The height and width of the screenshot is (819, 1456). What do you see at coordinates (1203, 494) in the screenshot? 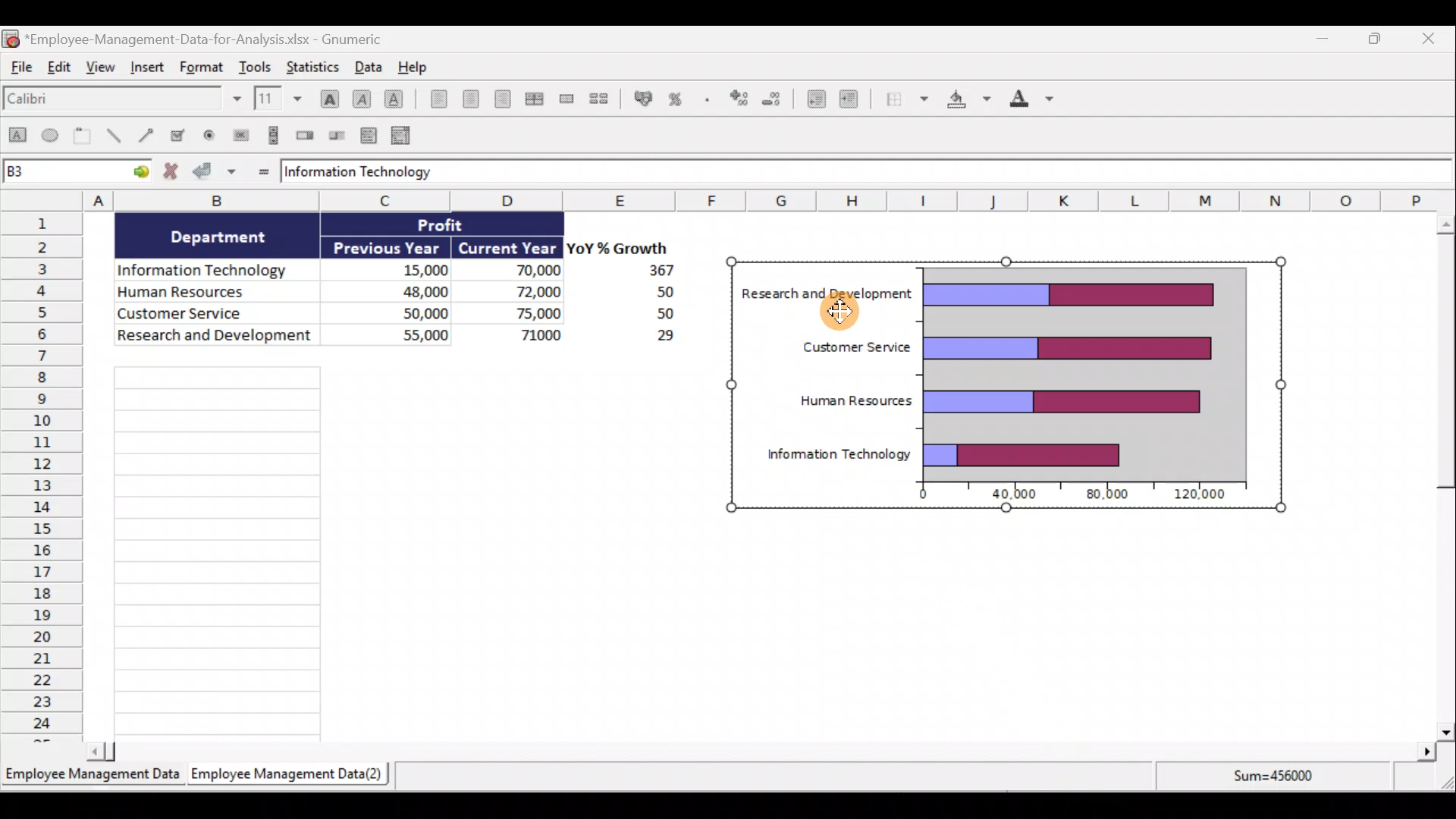
I see `120.000` at bounding box center [1203, 494].